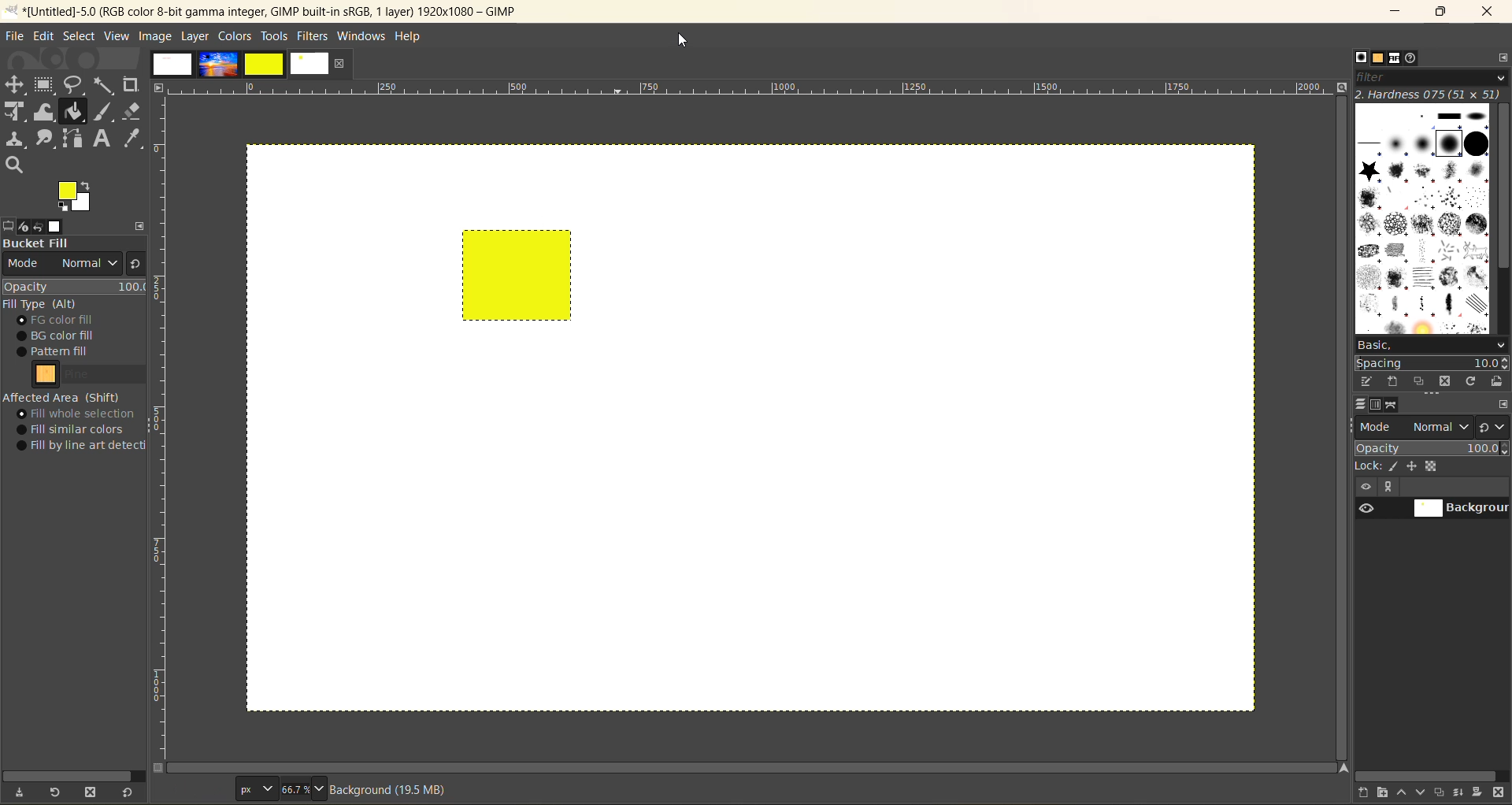  What do you see at coordinates (528, 280) in the screenshot?
I see `selection filled with solid yellow` at bounding box center [528, 280].